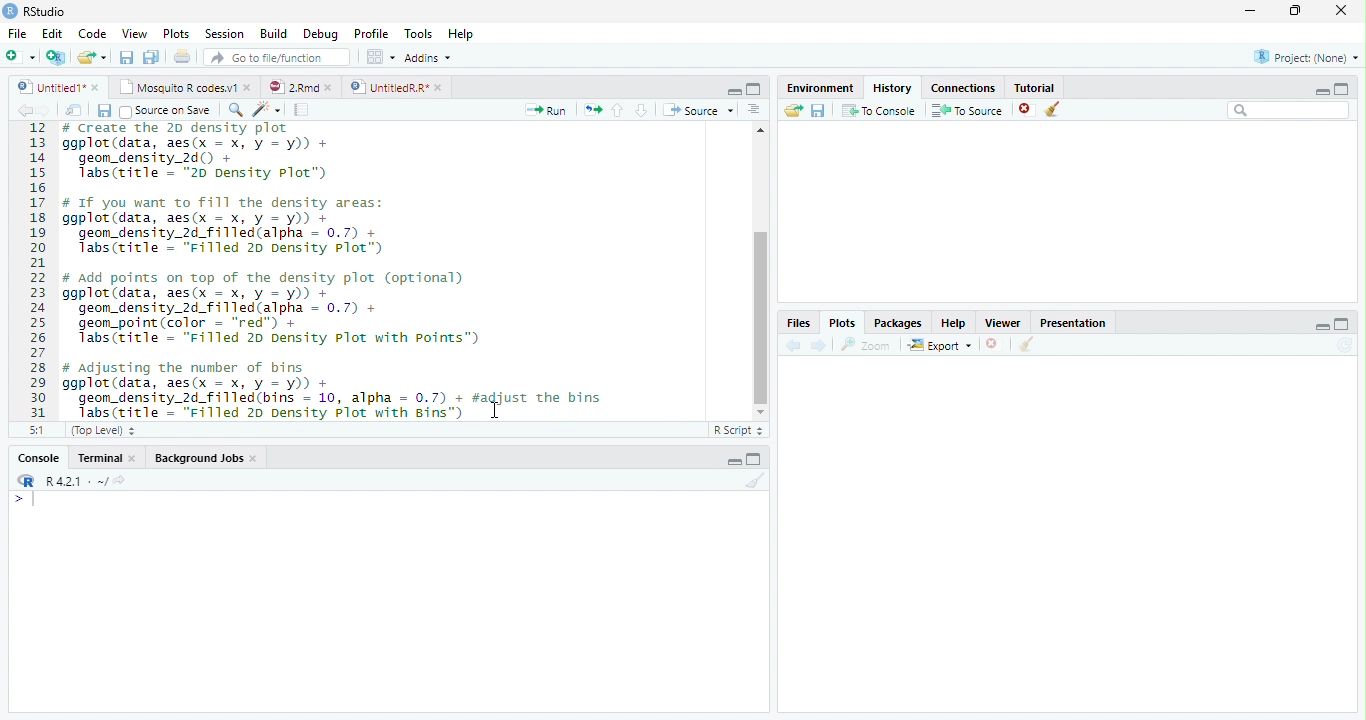  I want to click on next, so click(52, 112).